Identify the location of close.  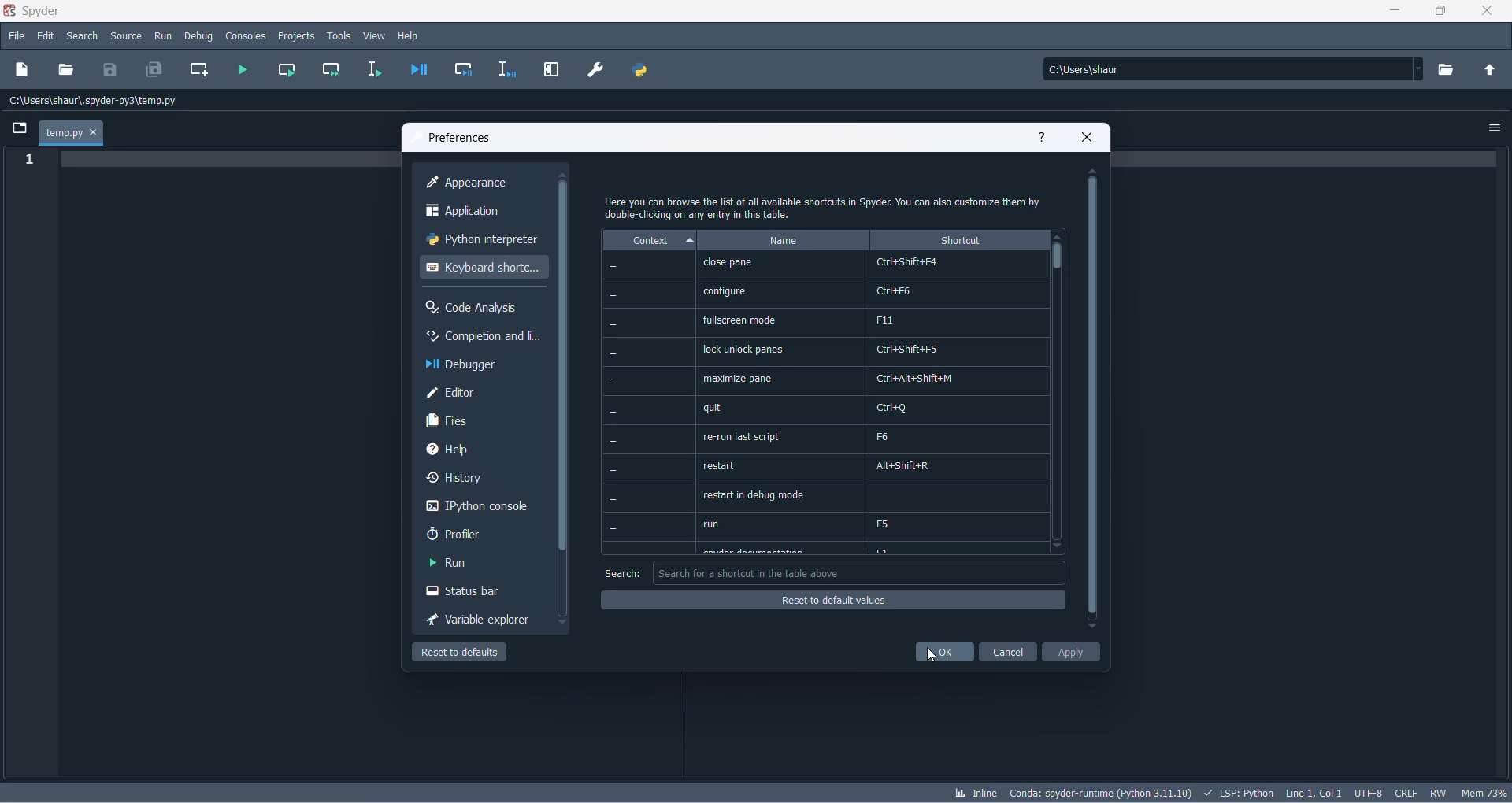
(1484, 15).